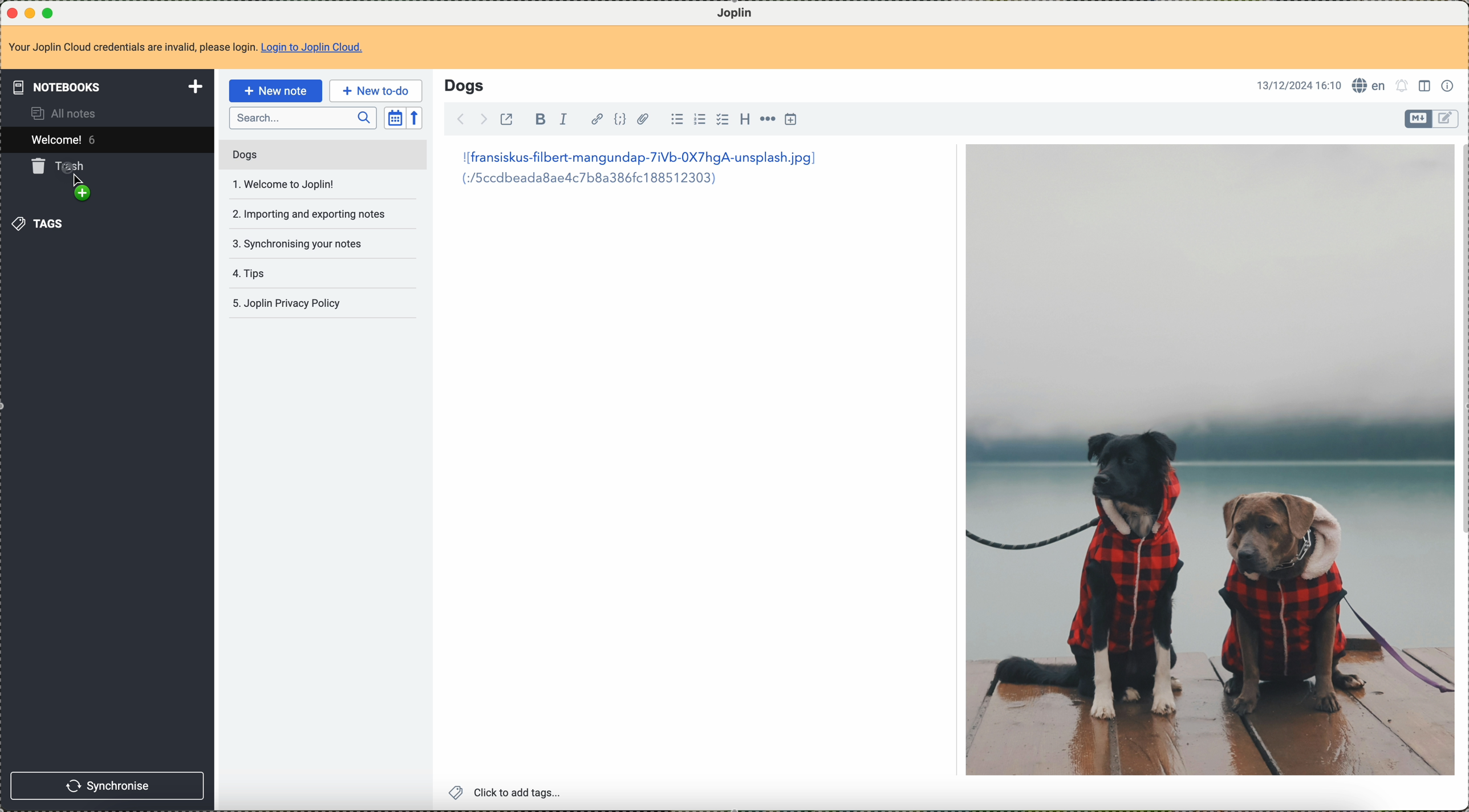 The width and height of the screenshot is (1469, 812). I want to click on insert time, so click(792, 120).